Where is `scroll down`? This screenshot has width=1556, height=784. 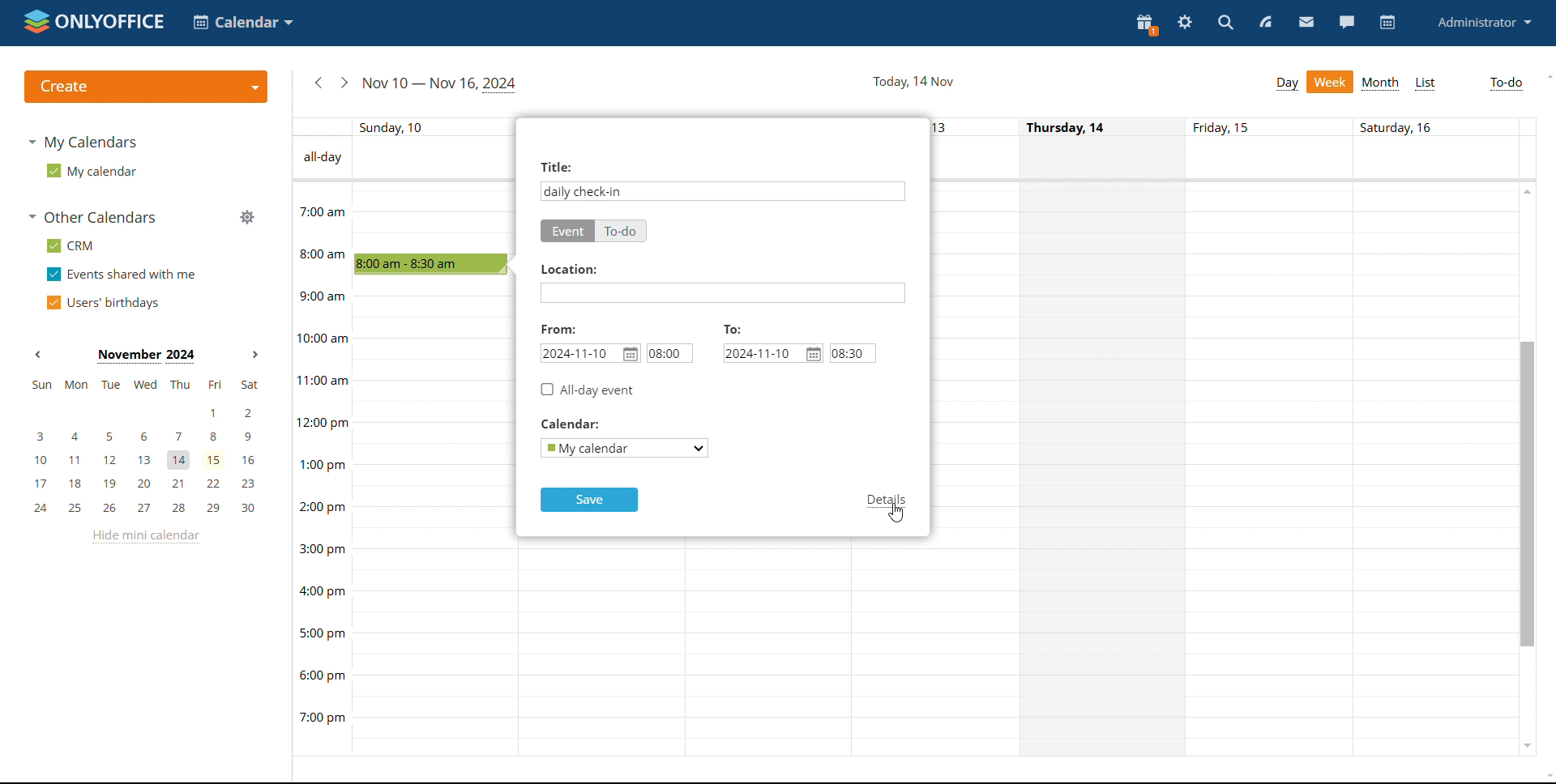
scroll down is located at coordinates (1526, 748).